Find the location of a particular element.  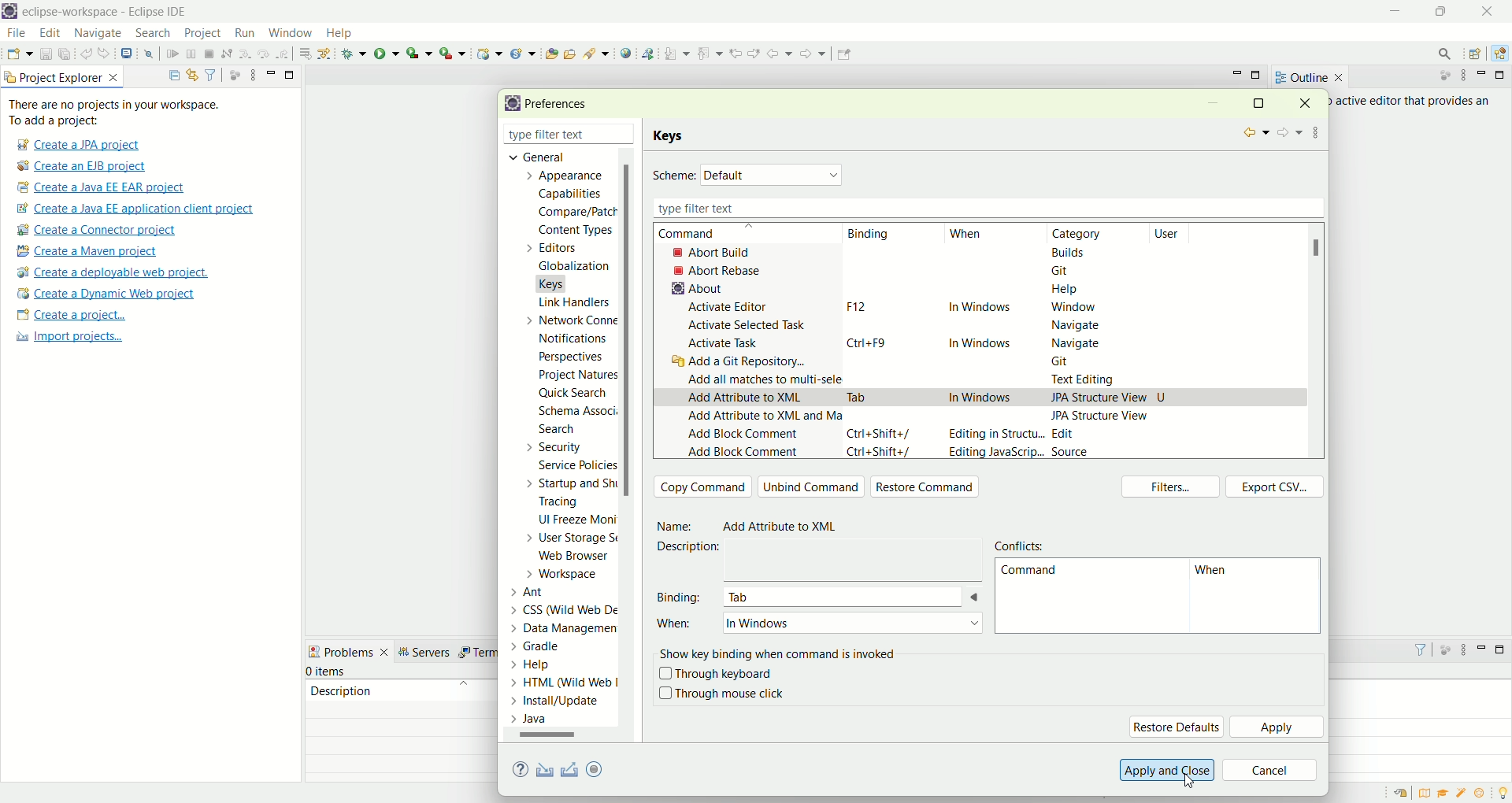

forward is located at coordinates (1288, 134).